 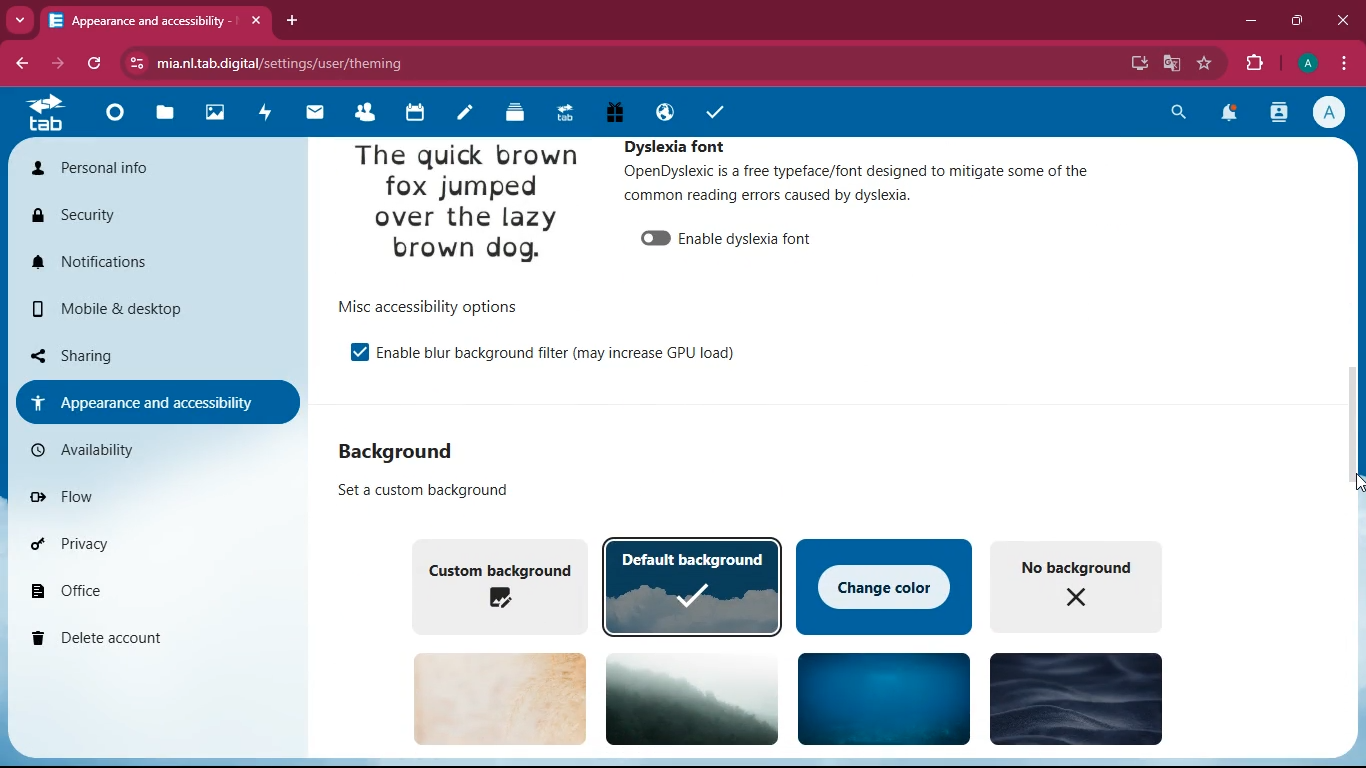 I want to click on OpenDyslexic is a free typeface/font designed to mitigate some of the  common reading errors caused by dyslexia., so click(x=854, y=185).